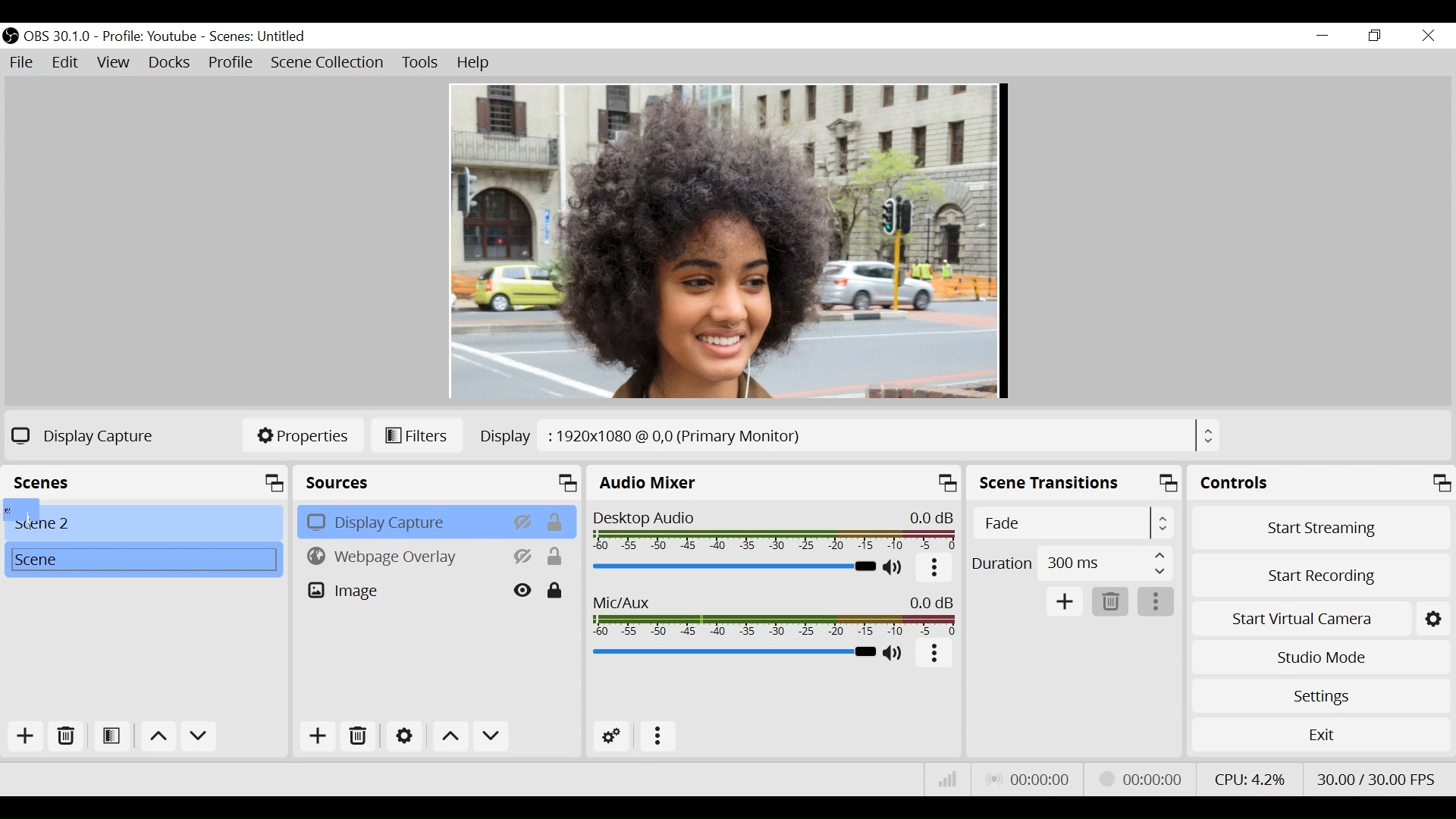 This screenshot has height=819, width=1456. I want to click on Streaming Status, so click(1145, 780).